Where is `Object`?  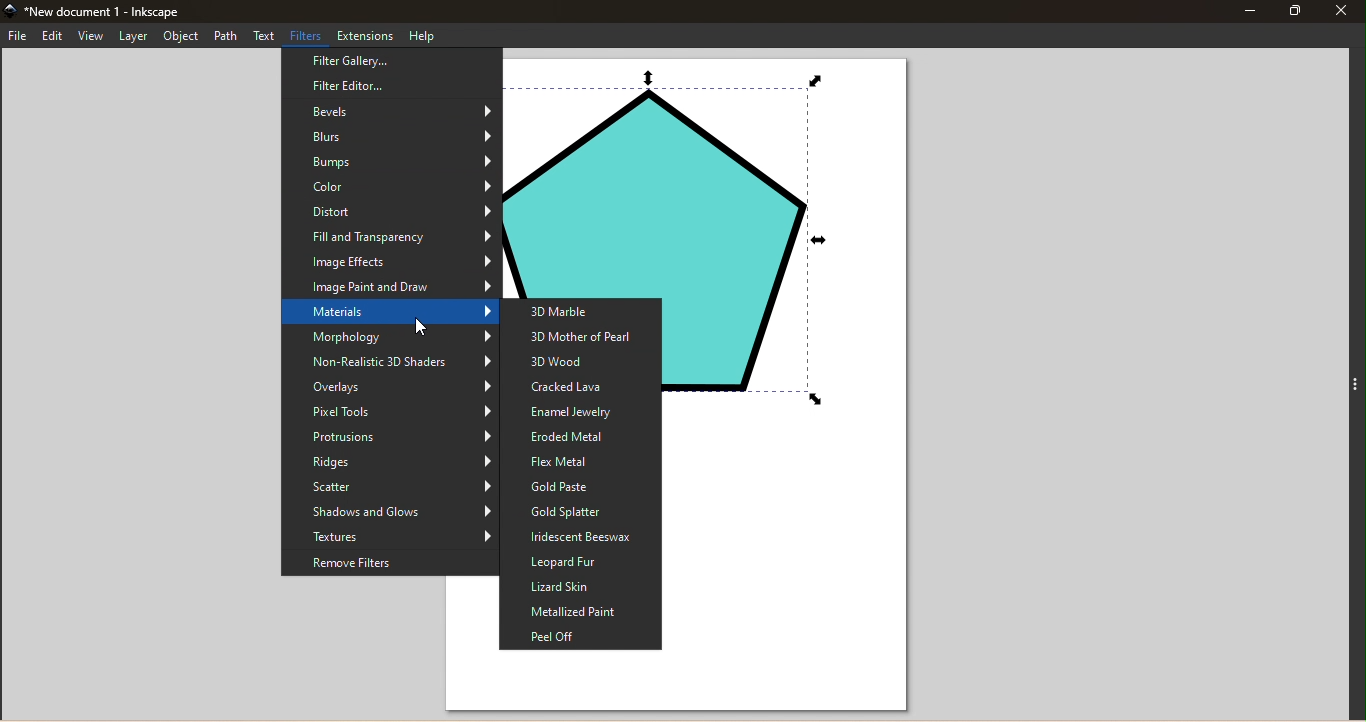 Object is located at coordinates (181, 36).